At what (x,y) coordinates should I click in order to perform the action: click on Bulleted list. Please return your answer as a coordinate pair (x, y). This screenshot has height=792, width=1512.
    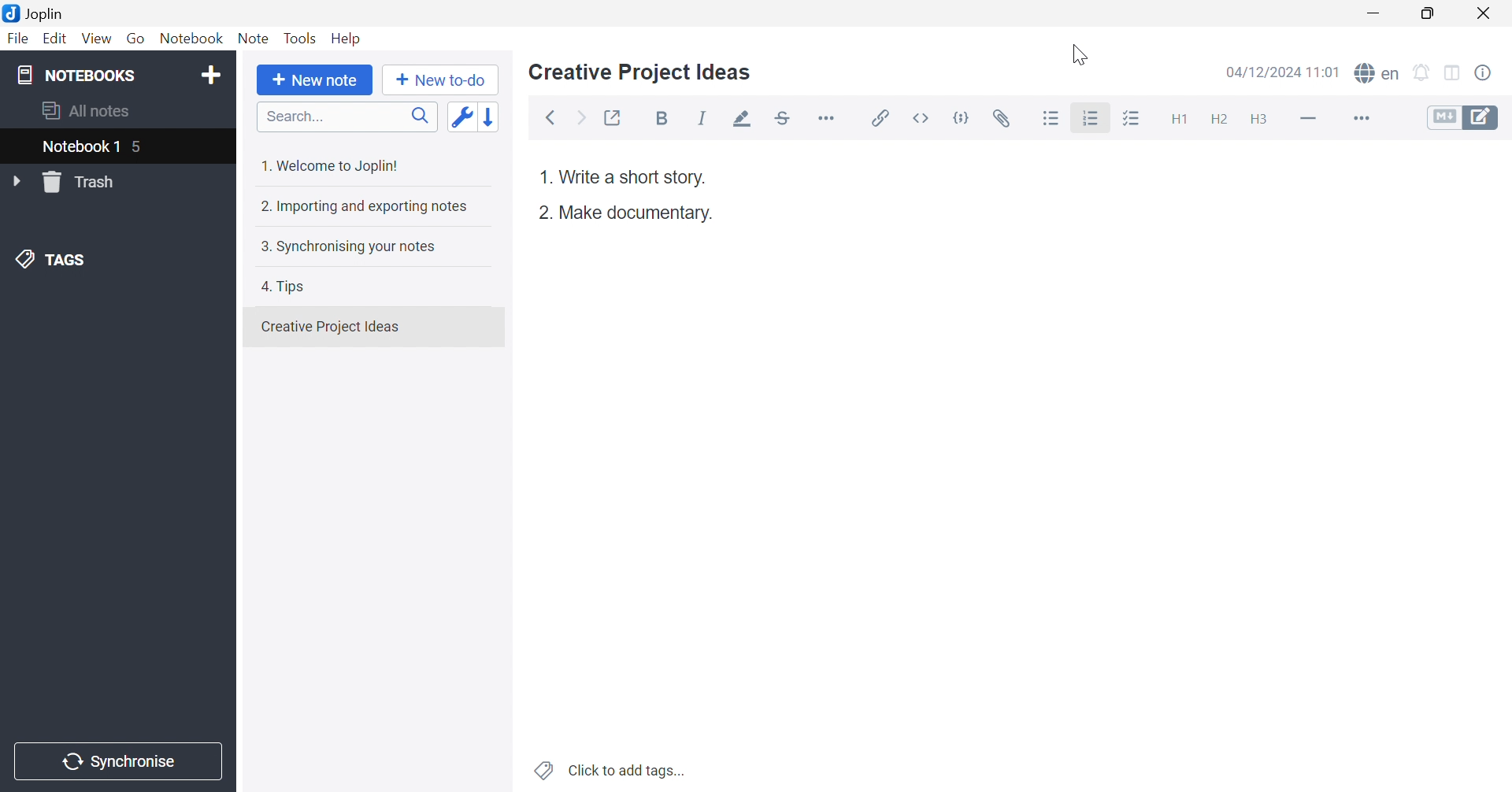
    Looking at the image, I should click on (1051, 119).